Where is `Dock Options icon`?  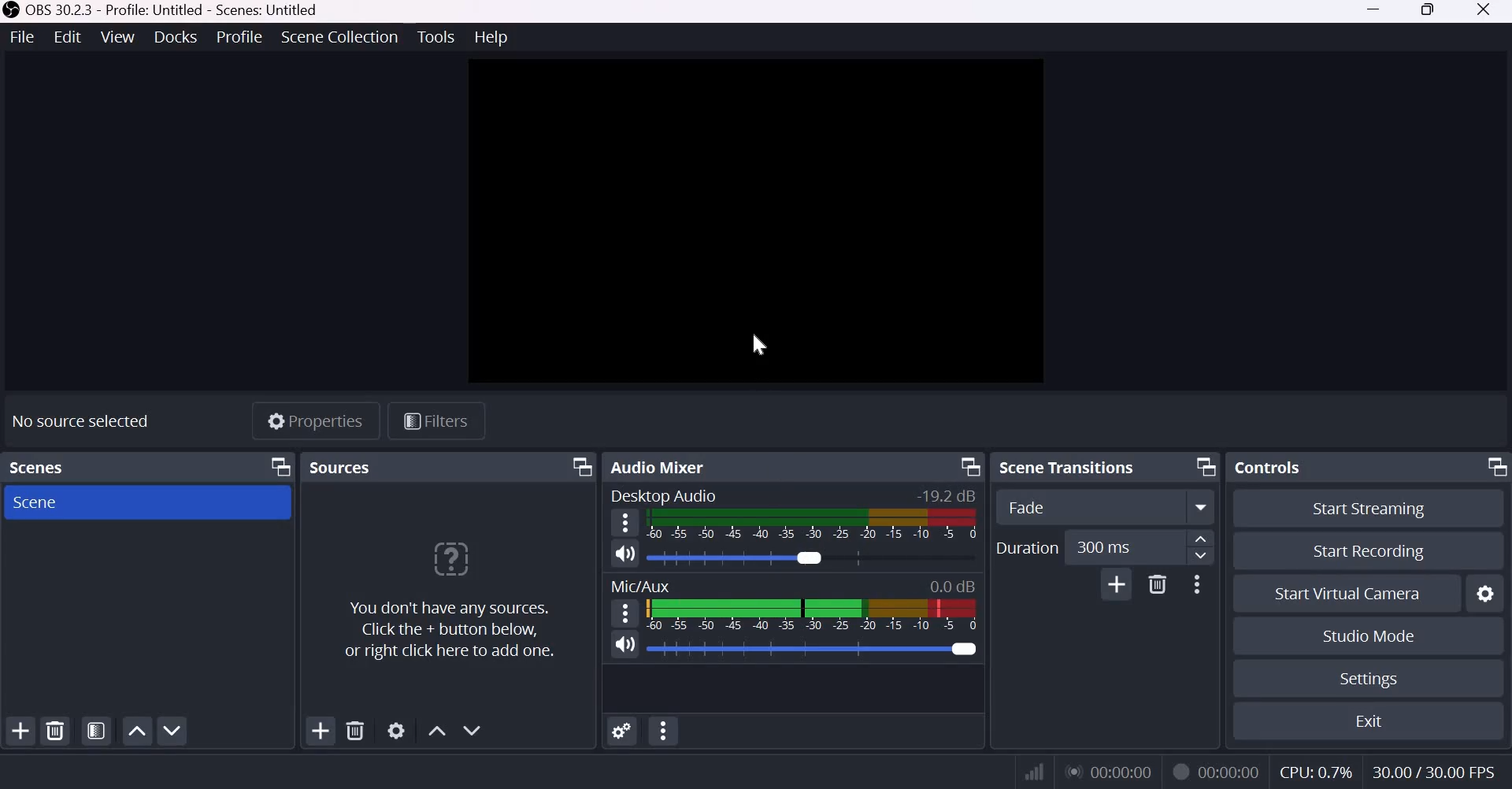 Dock Options icon is located at coordinates (1492, 468).